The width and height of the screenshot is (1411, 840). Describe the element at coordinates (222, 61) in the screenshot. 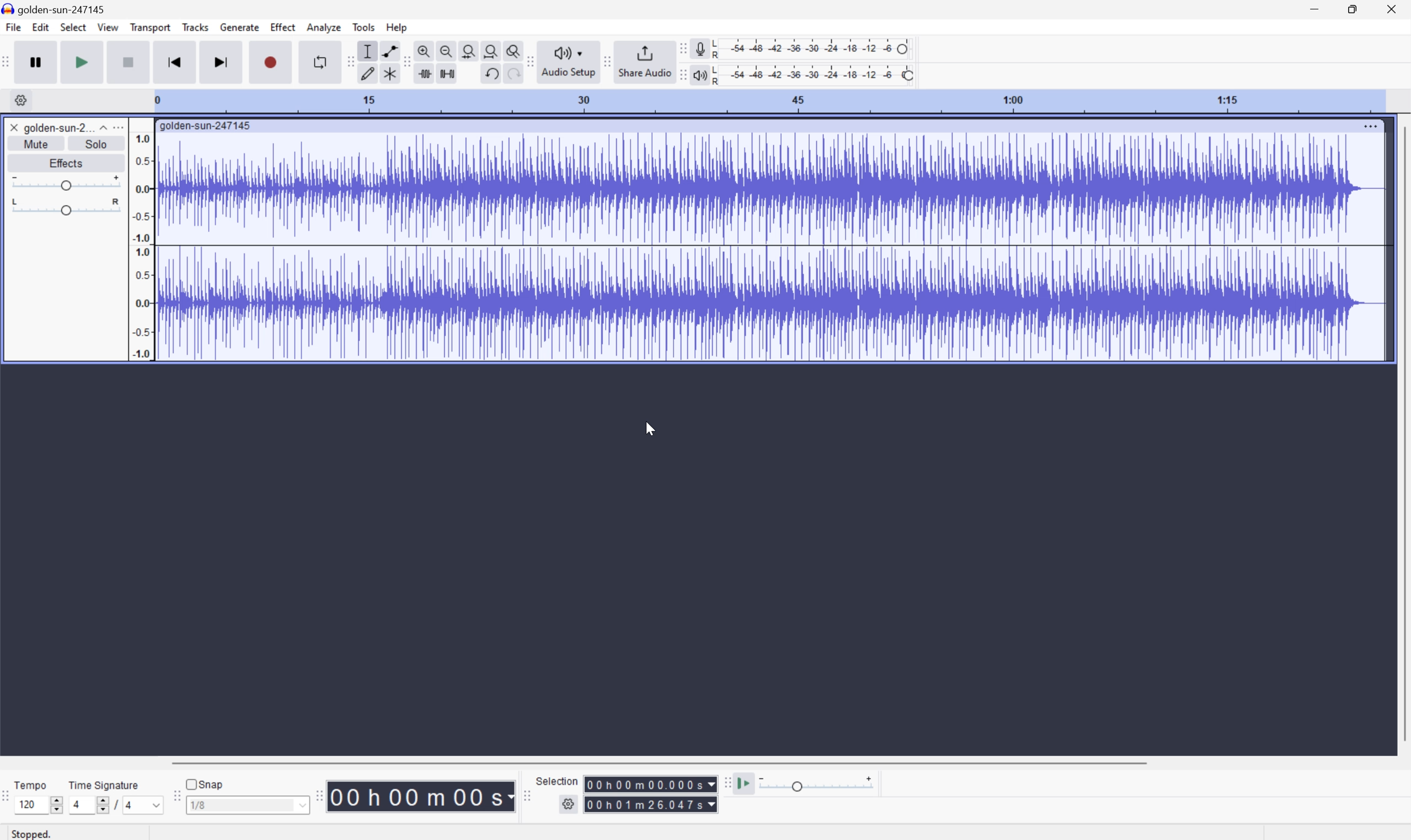

I see `Skip to end` at that location.